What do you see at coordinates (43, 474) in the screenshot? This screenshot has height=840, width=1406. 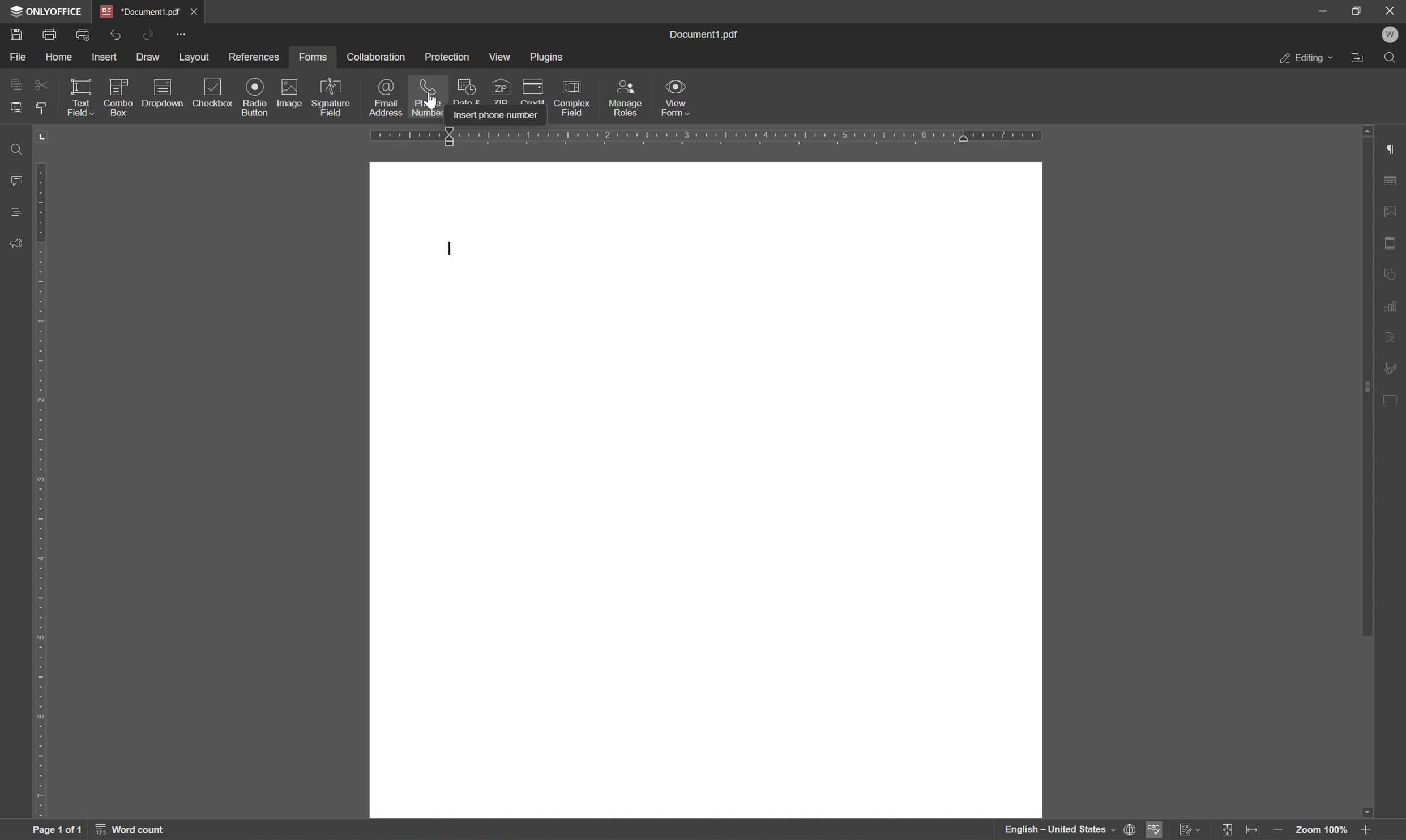 I see `ruler` at bounding box center [43, 474].